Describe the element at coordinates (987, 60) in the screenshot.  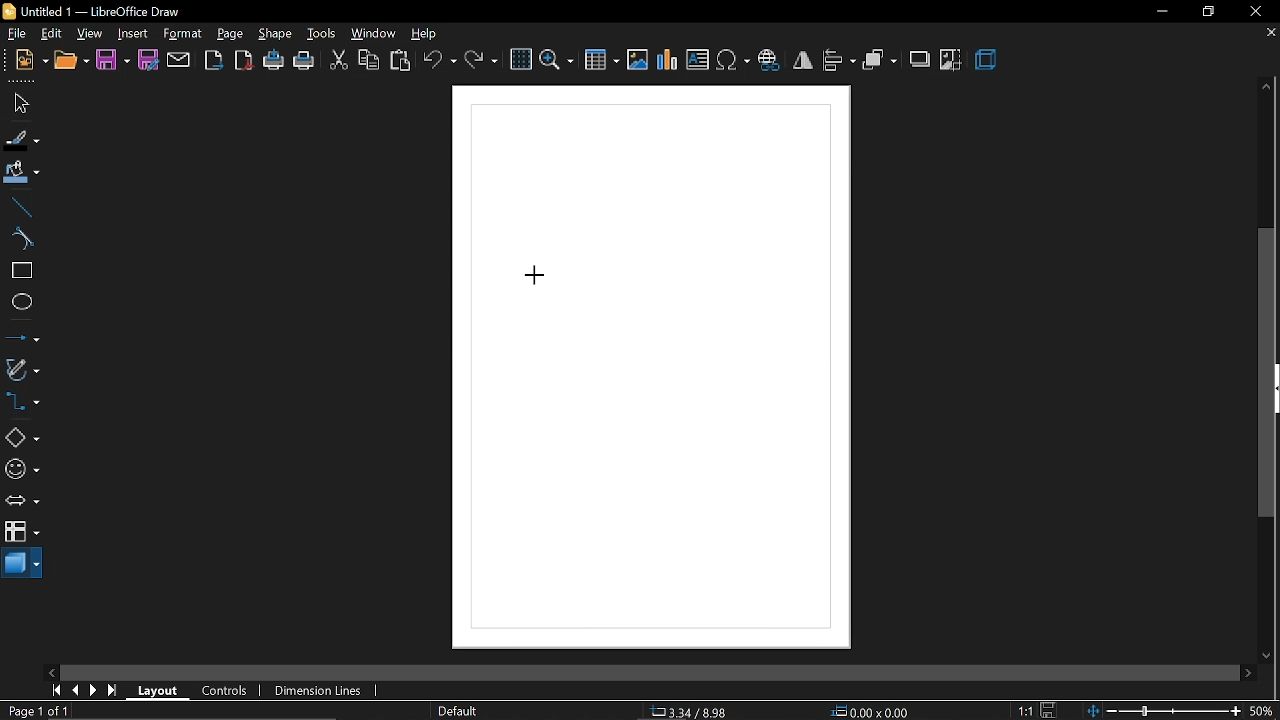
I see `3d effect` at that location.